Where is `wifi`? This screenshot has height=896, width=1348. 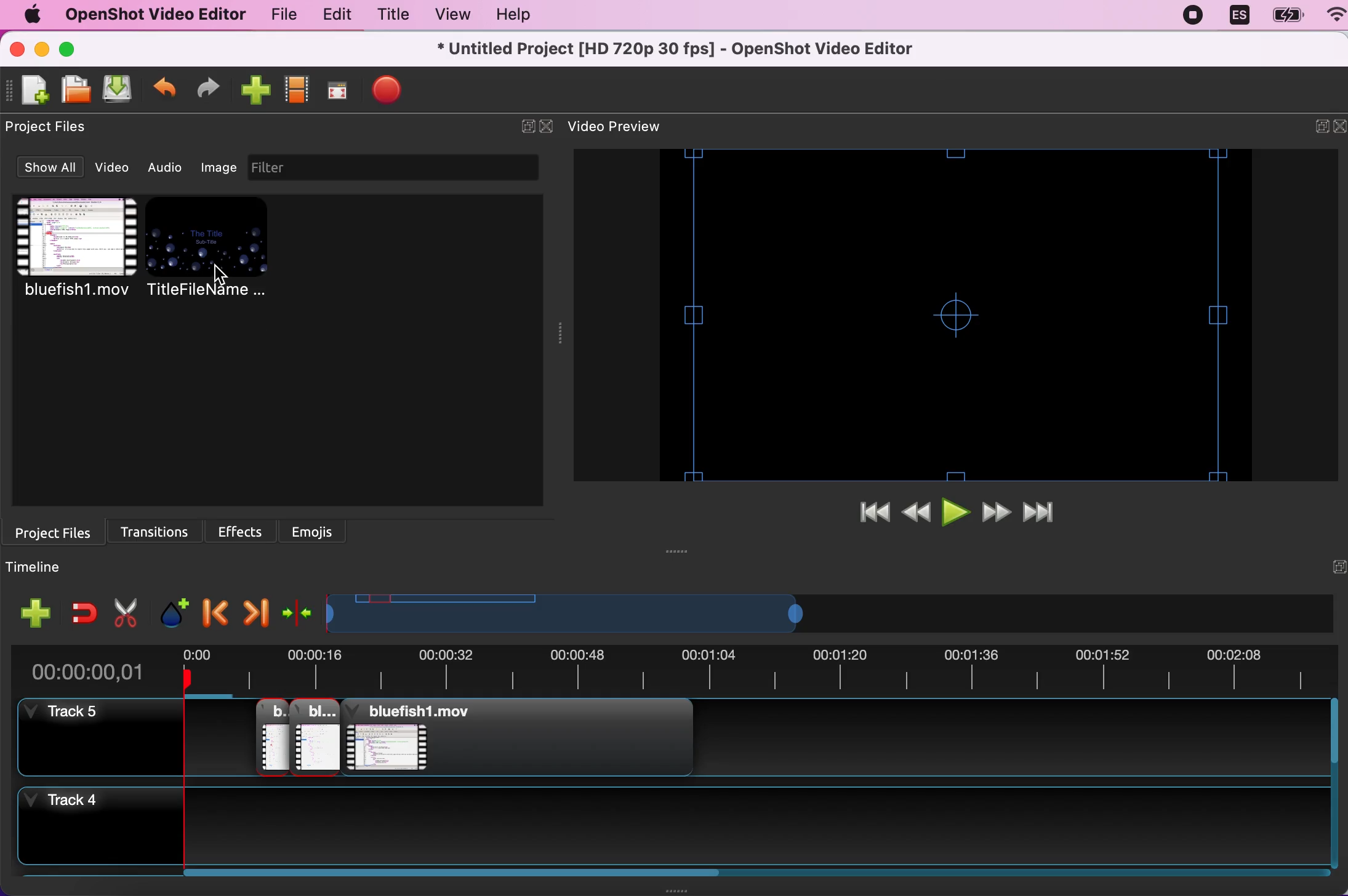
wifi is located at coordinates (1330, 17).